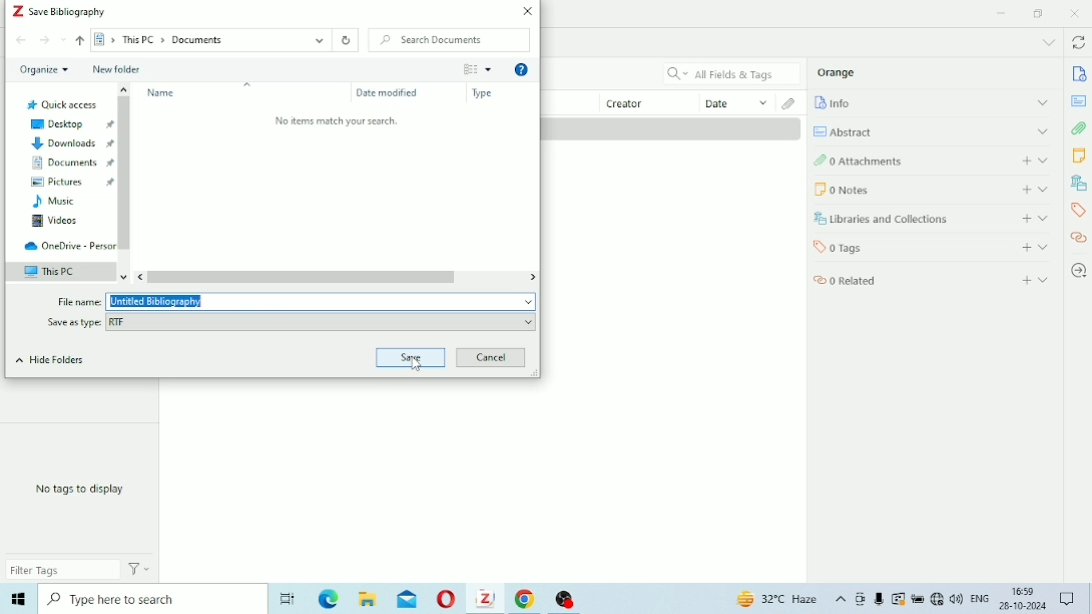 This screenshot has height=614, width=1092. What do you see at coordinates (791, 103) in the screenshot?
I see `Attachments` at bounding box center [791, 103].